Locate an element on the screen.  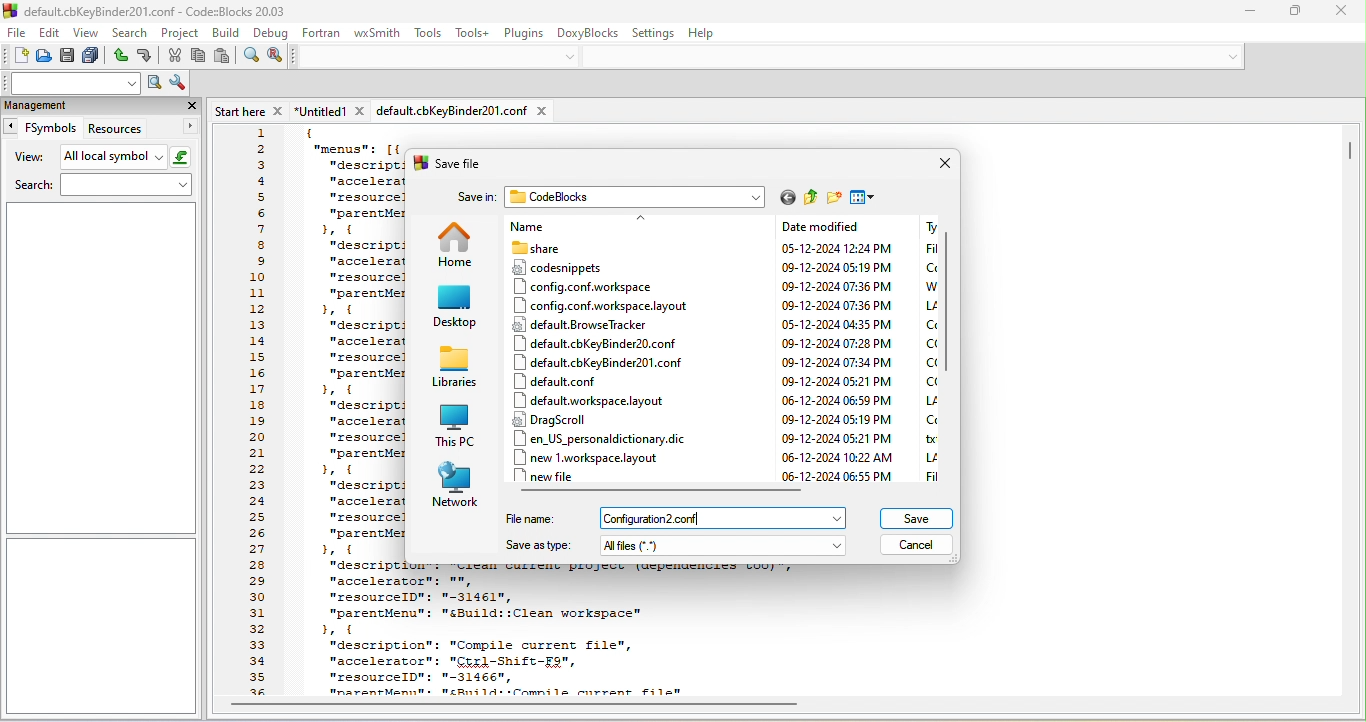
resources is located at coordinates (141, 128).